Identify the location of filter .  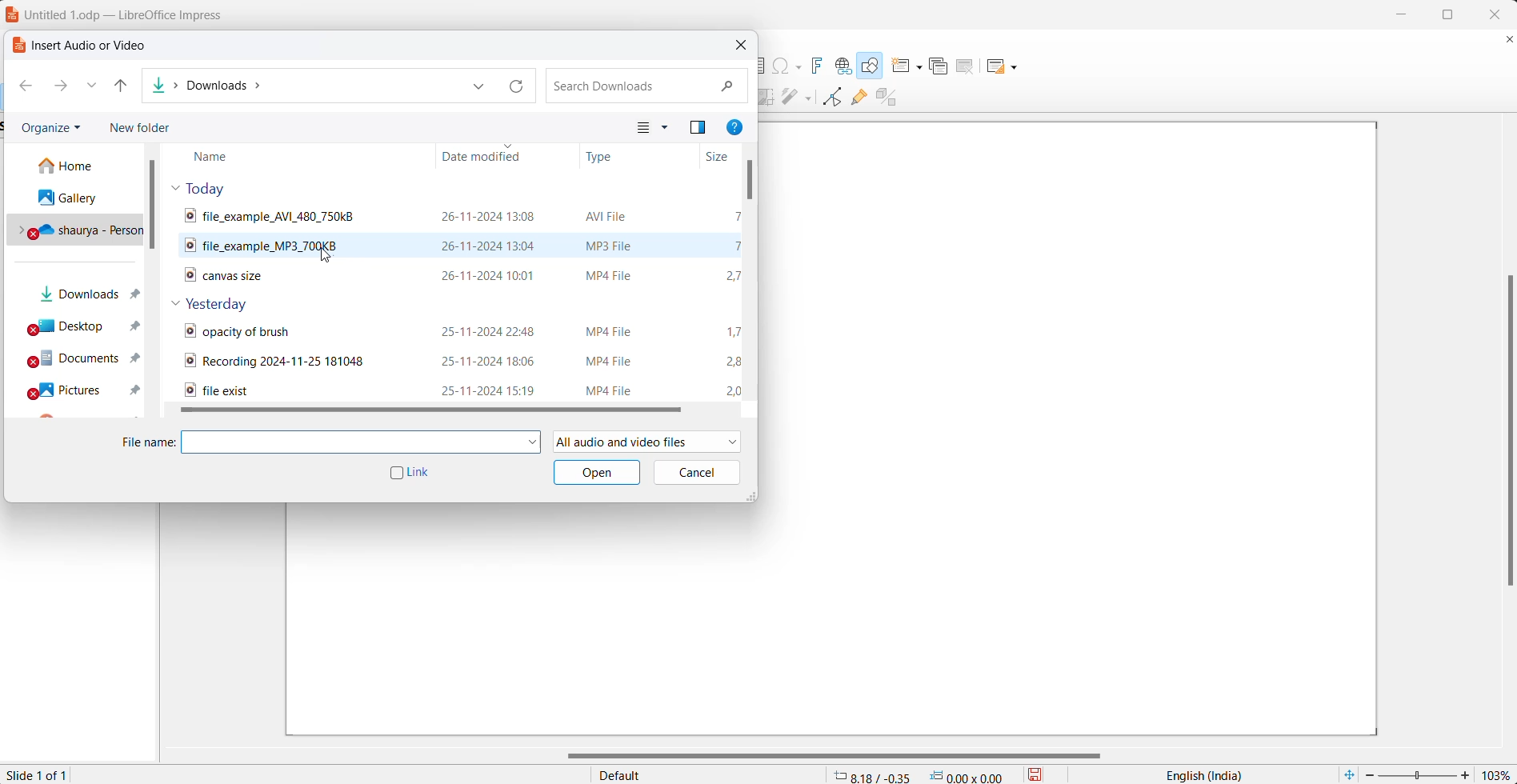
(788, 98).